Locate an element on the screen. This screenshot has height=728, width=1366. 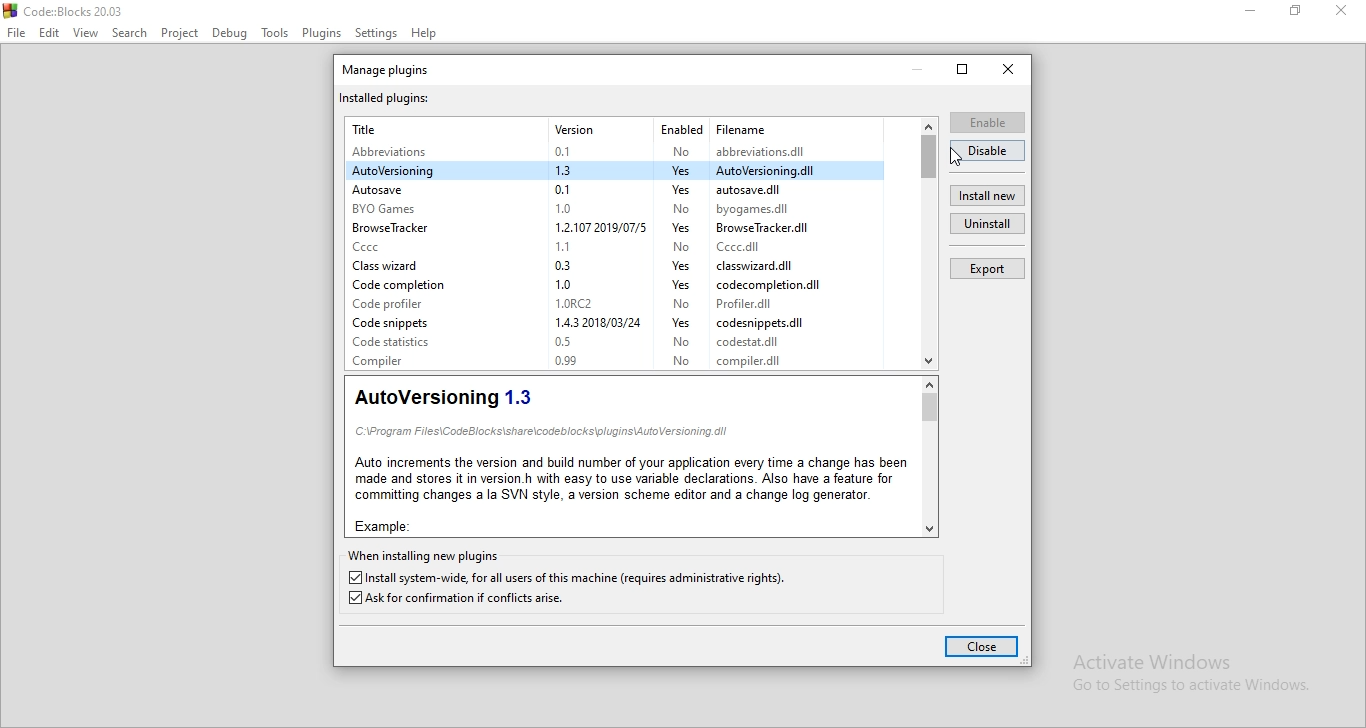
Autosave  is located at coordinates (398, 190).